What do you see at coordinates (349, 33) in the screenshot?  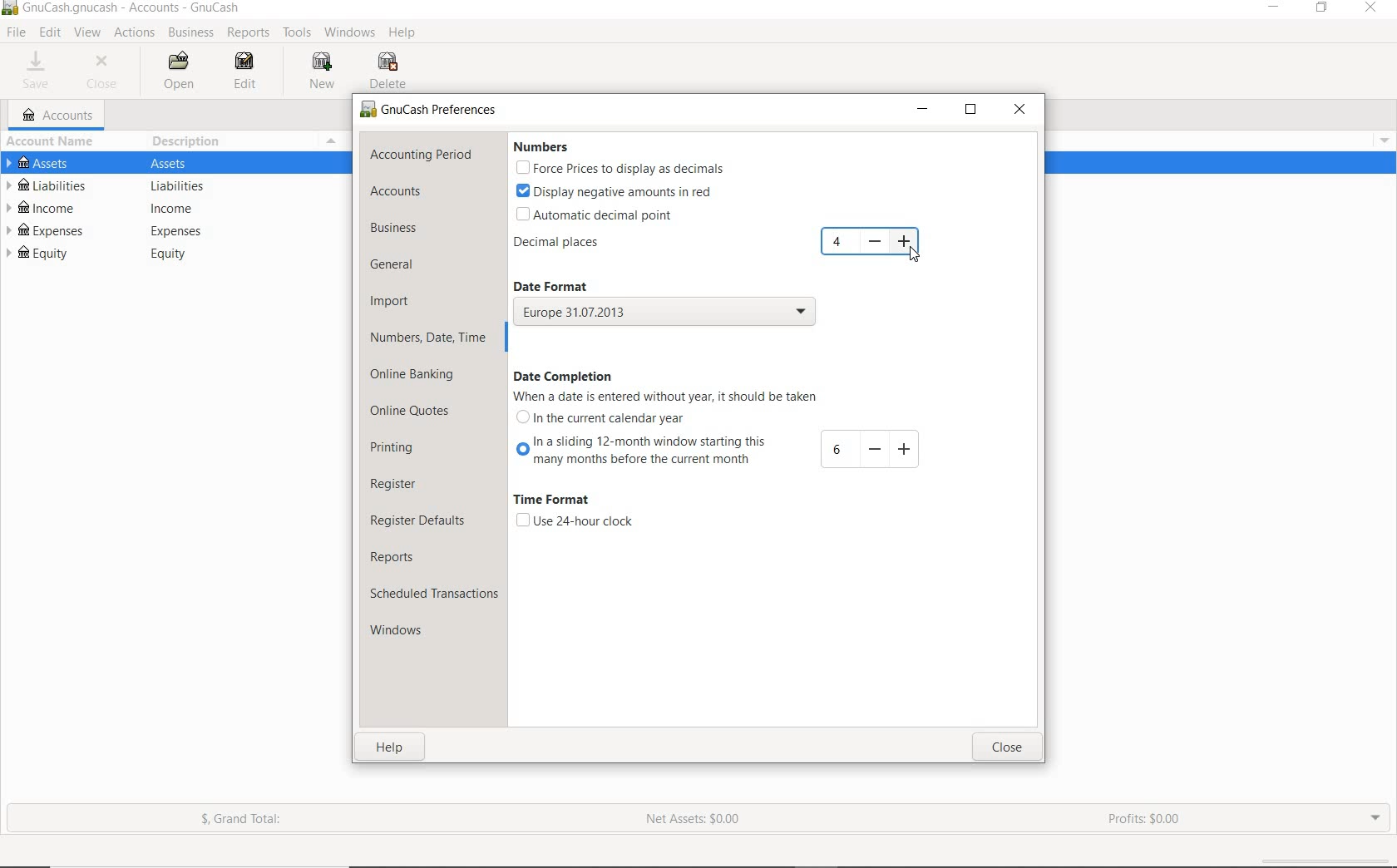 I see `WINDOWS` at bounding box center [349, 33].